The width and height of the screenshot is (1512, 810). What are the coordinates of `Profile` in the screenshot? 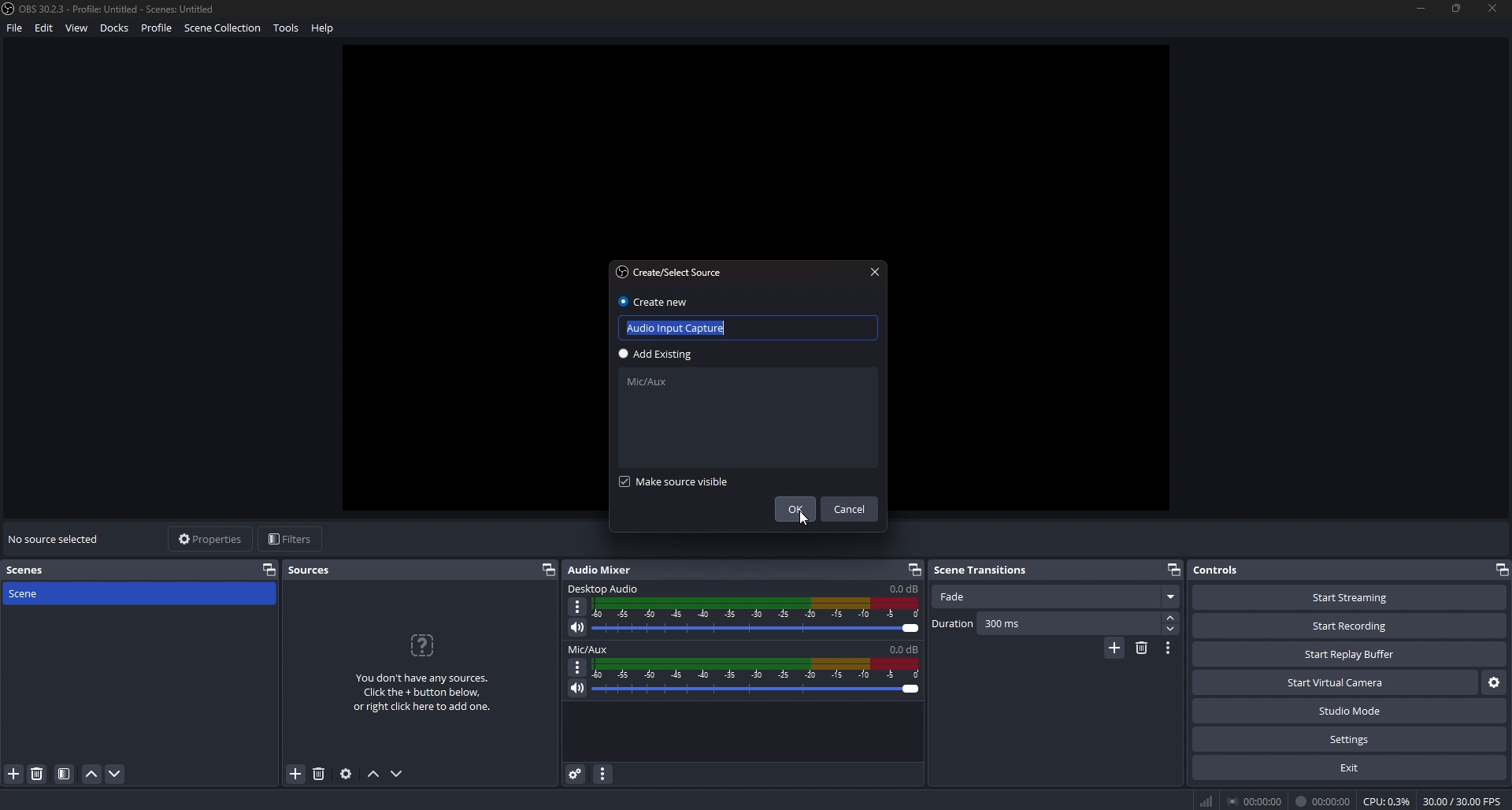 It's located at (157, 29).